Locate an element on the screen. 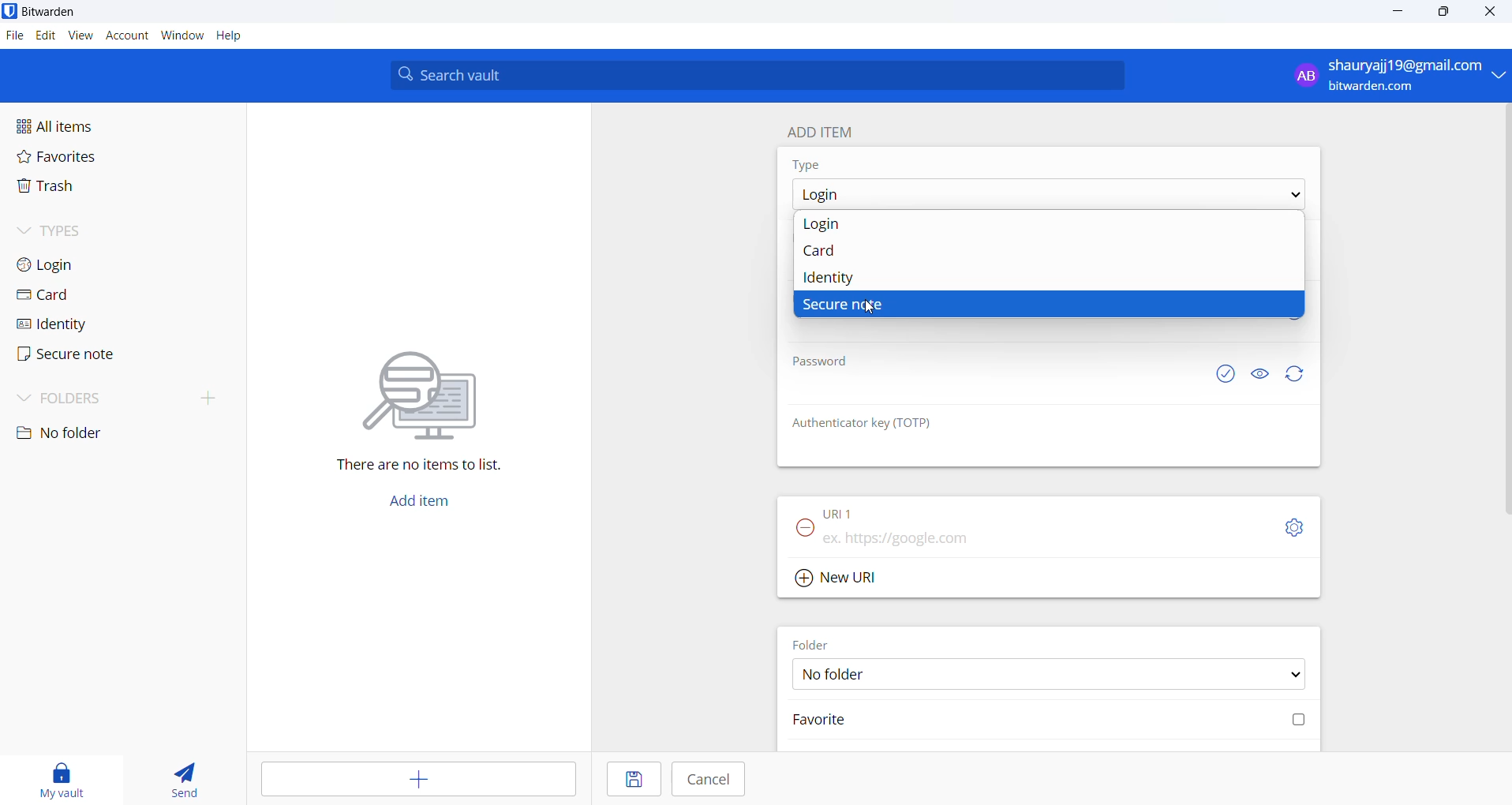  secure note is located at coordinates (85, 358).